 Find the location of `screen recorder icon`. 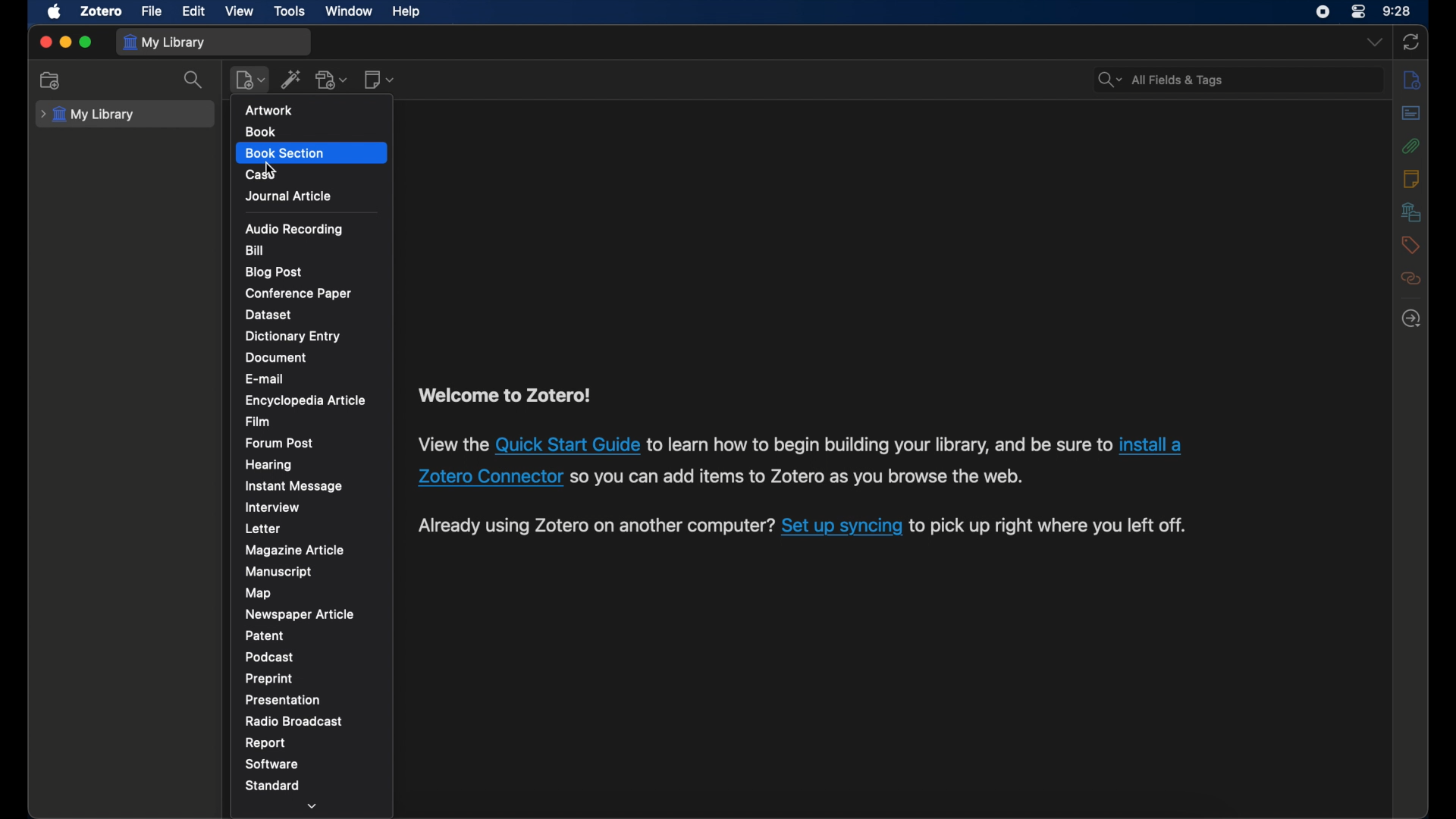

screen recorder icon is located at coordinates (1323, 12).